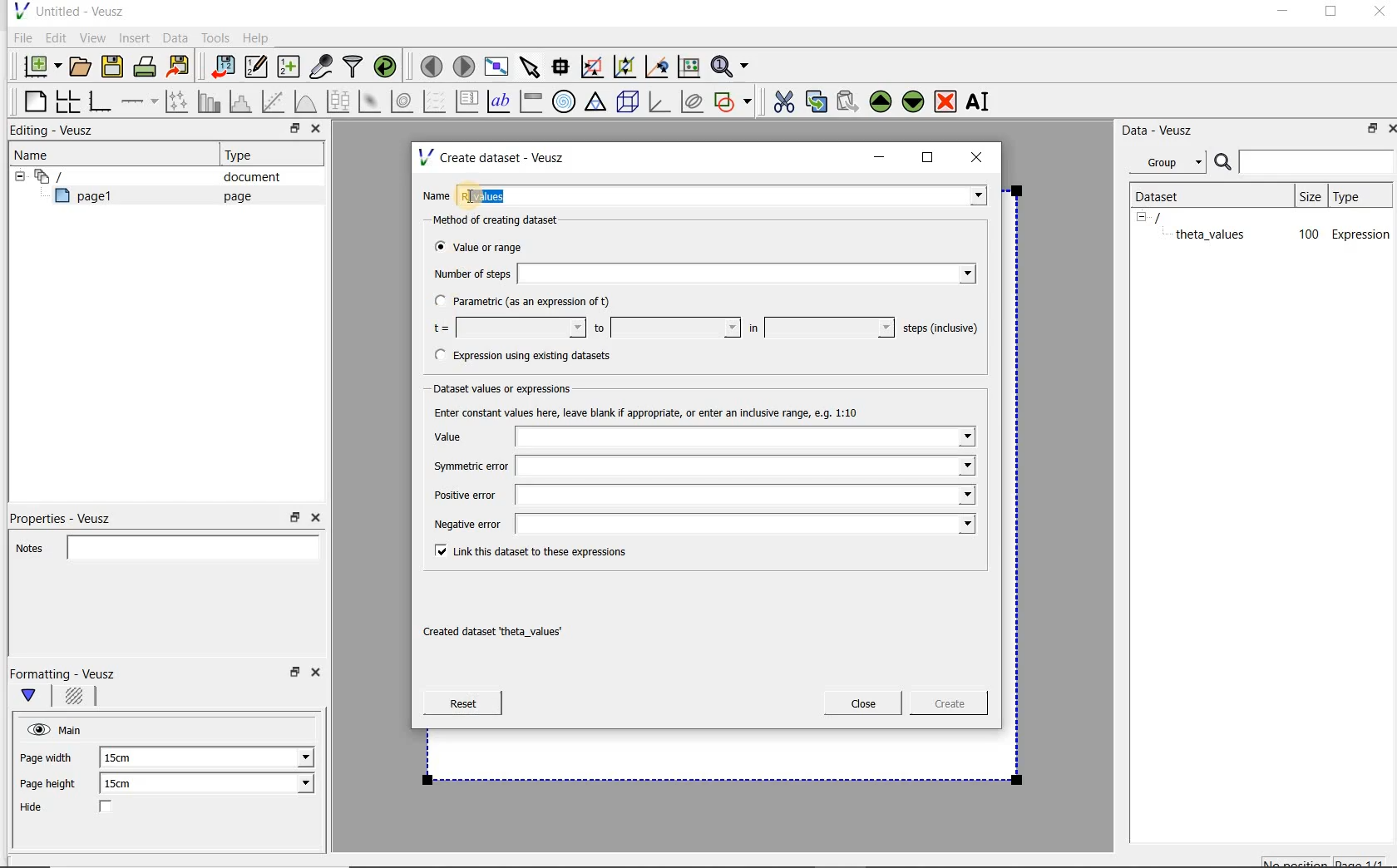 The width and height of the screenshot is (1397, 868). Describe the element at coordinates (47, 755) in the screenshot. I see `Page width` at that location.